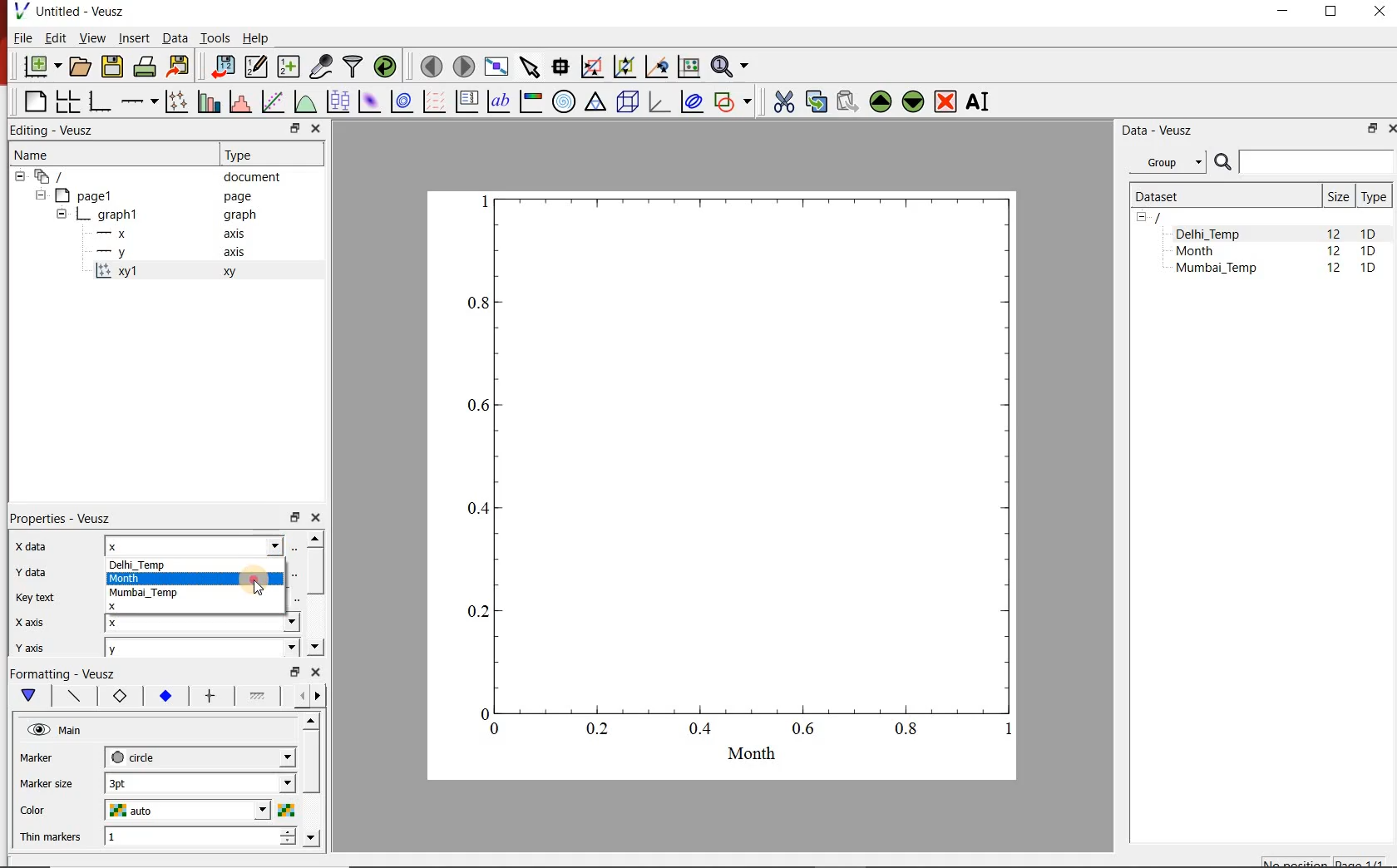 The width and height of the screenshot is (1397, 868). Describe the element at coordinates (57, 730) in the screenshot. I see `Main` at that location.